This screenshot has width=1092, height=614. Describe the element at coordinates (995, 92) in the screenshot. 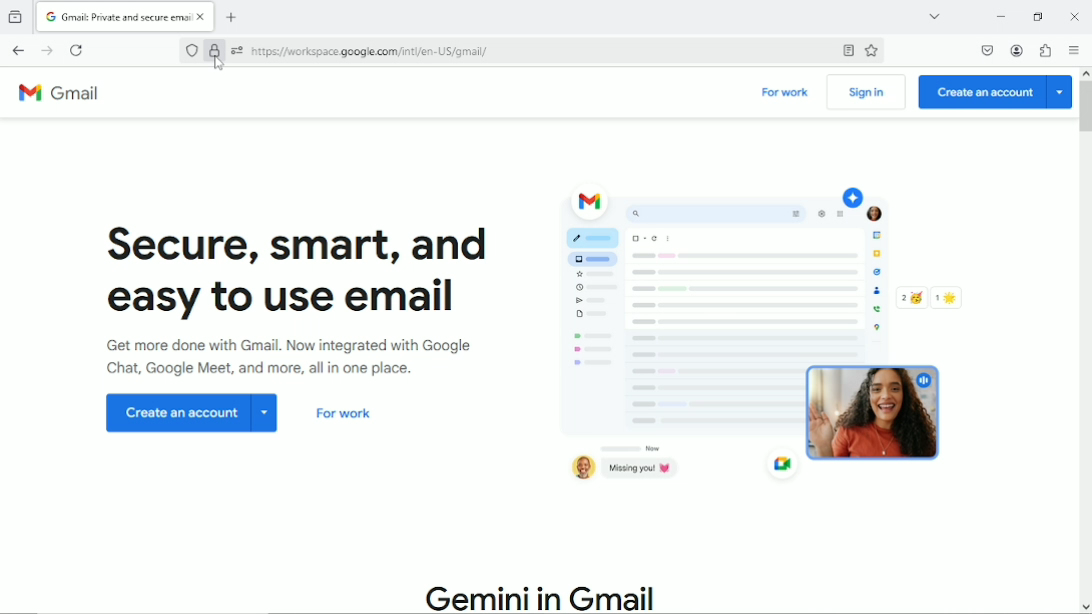

I see `Create an account` at that location.